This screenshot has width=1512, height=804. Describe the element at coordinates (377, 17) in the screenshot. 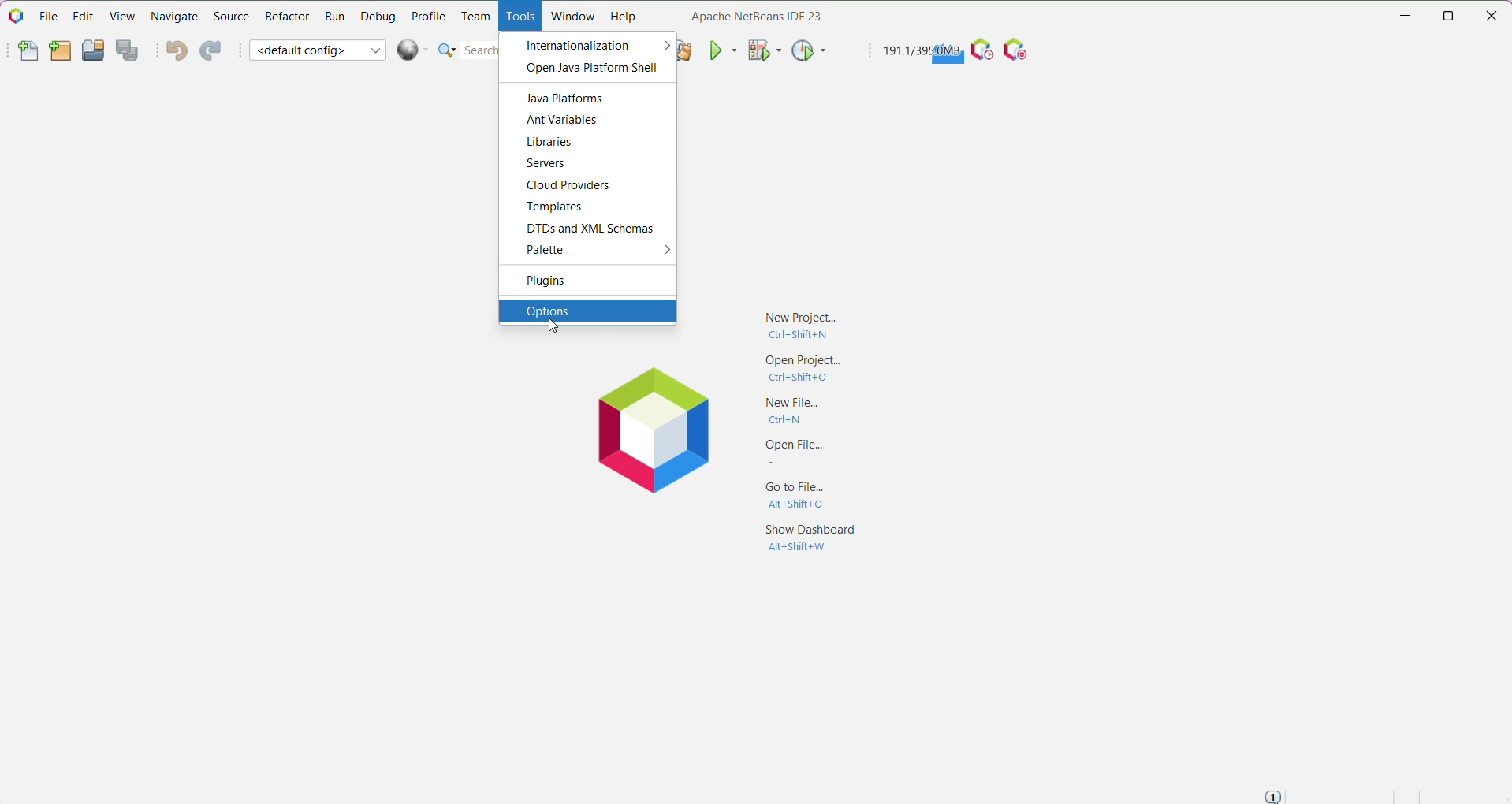

I see `Debug` at that location.